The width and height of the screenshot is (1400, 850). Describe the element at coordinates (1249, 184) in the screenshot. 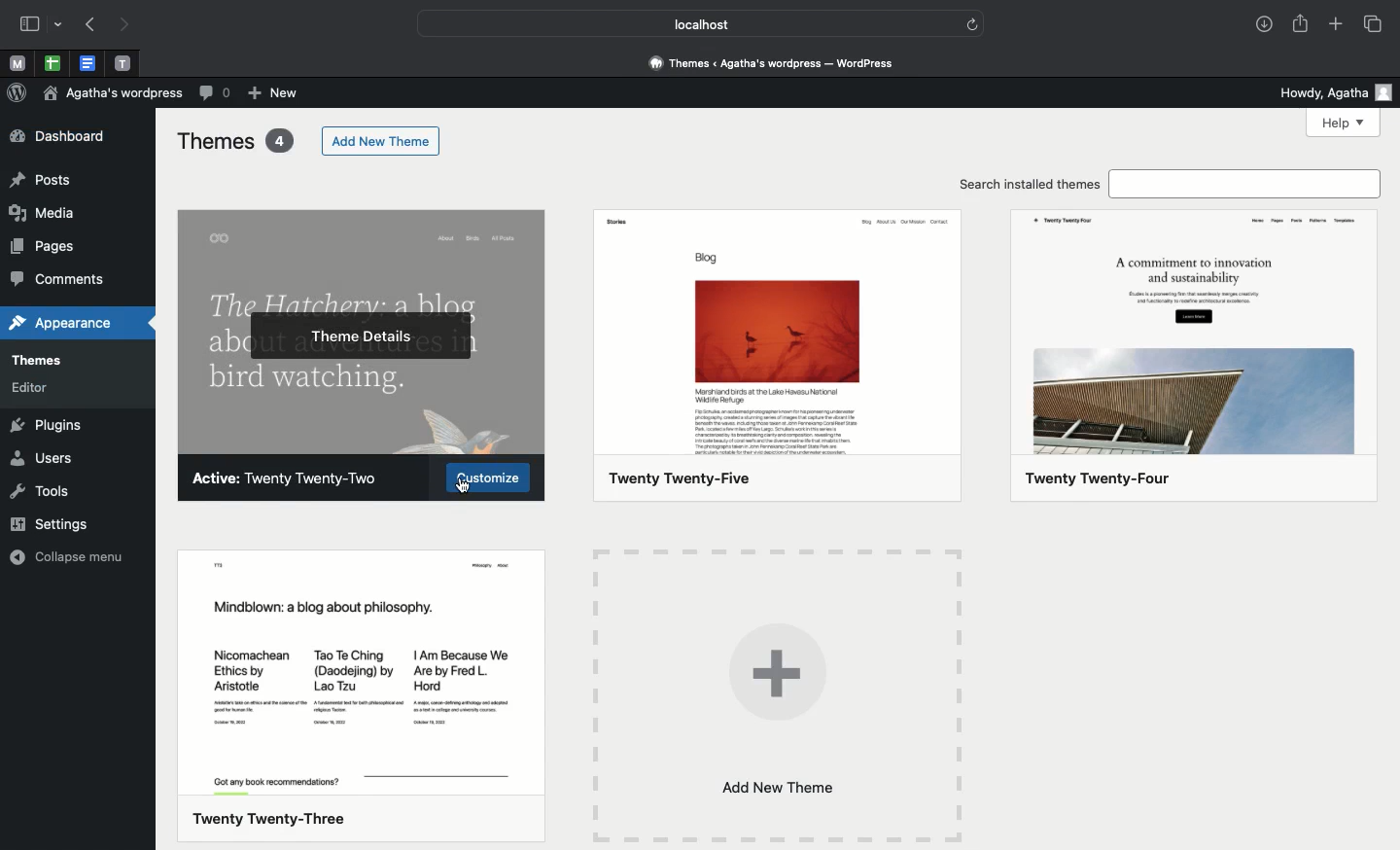

I see `search` at that location.